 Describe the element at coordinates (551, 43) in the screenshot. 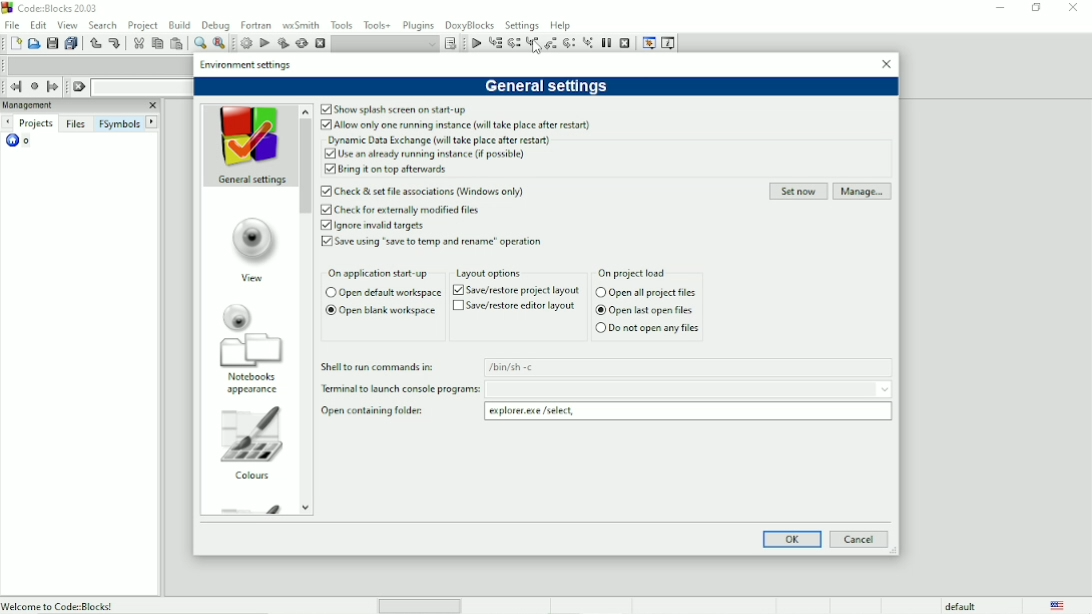

I see `Step out` at that location.